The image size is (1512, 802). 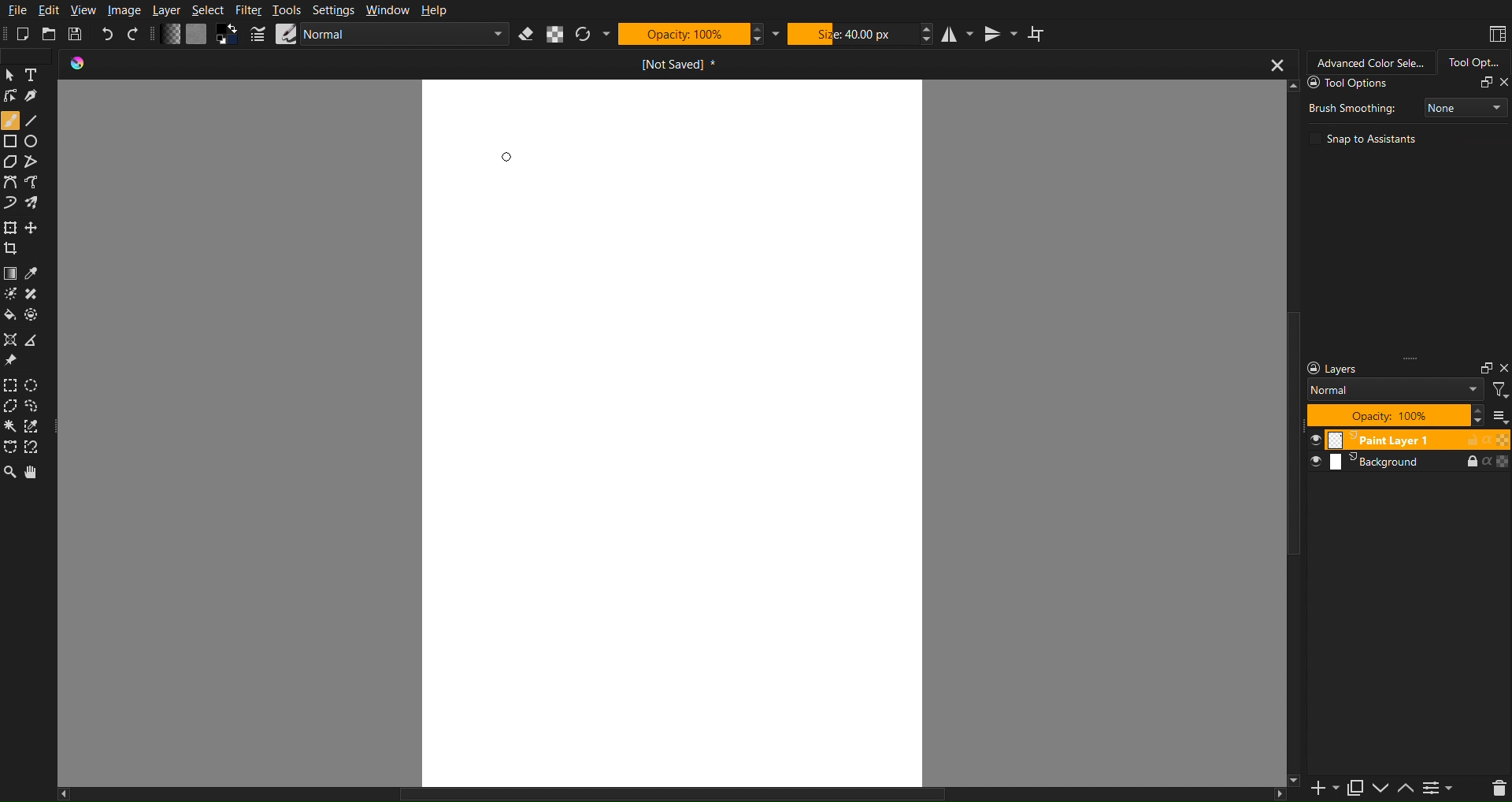 I want to click on Vertical Mirror, so click(x=1000, y=34).